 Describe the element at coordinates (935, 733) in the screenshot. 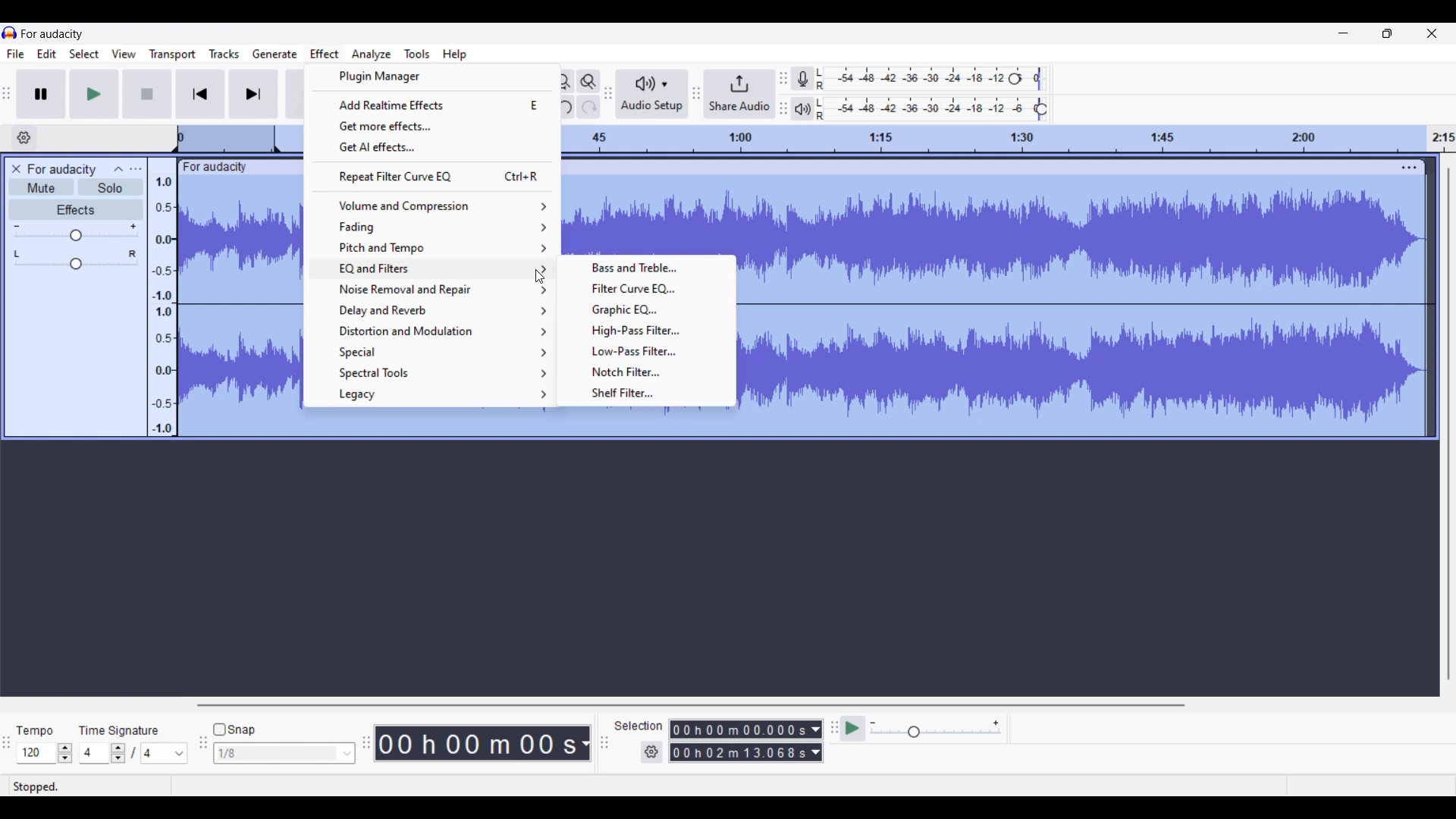

I see `Change playback speed` at that location.